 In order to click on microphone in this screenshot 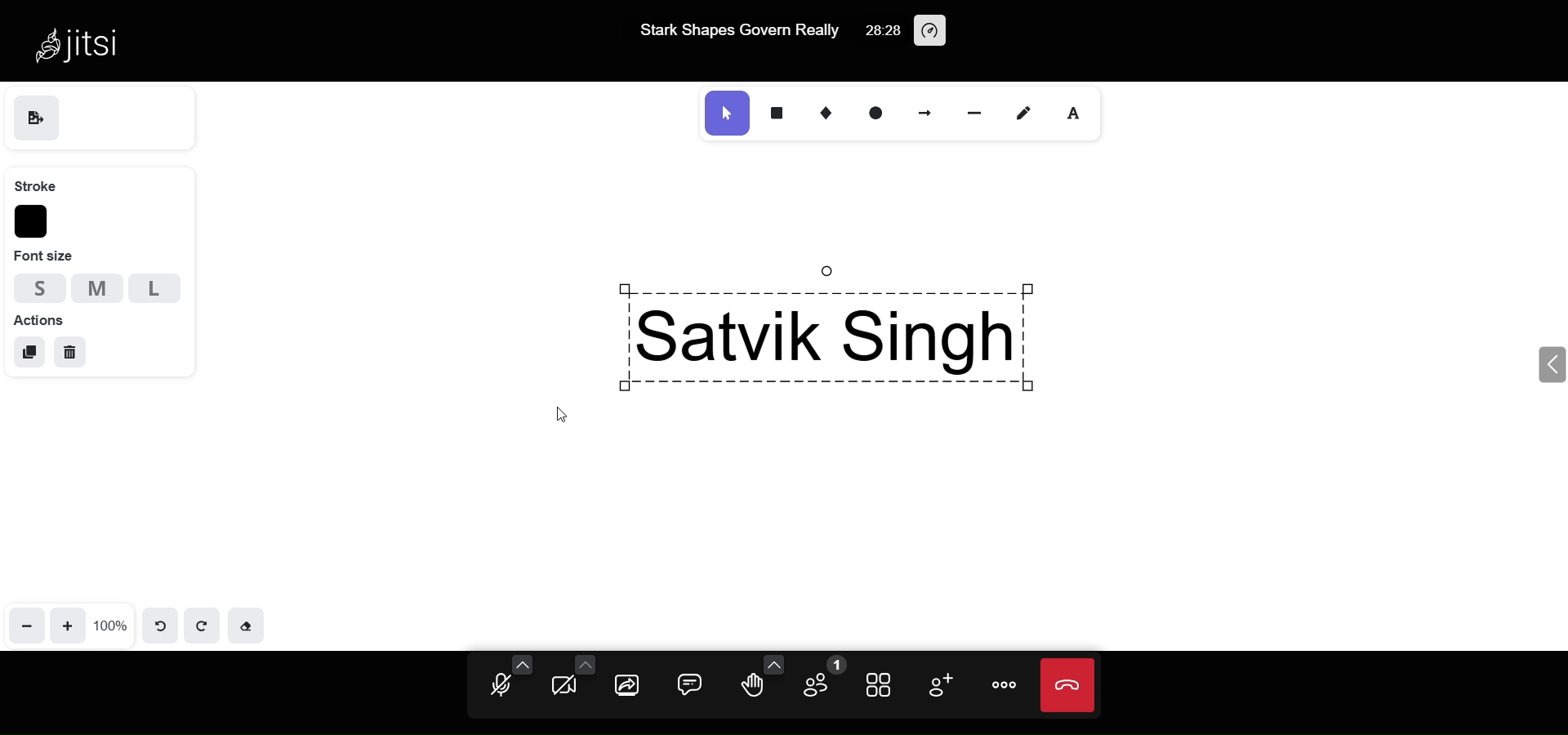, I will do `click(500, 688)`.